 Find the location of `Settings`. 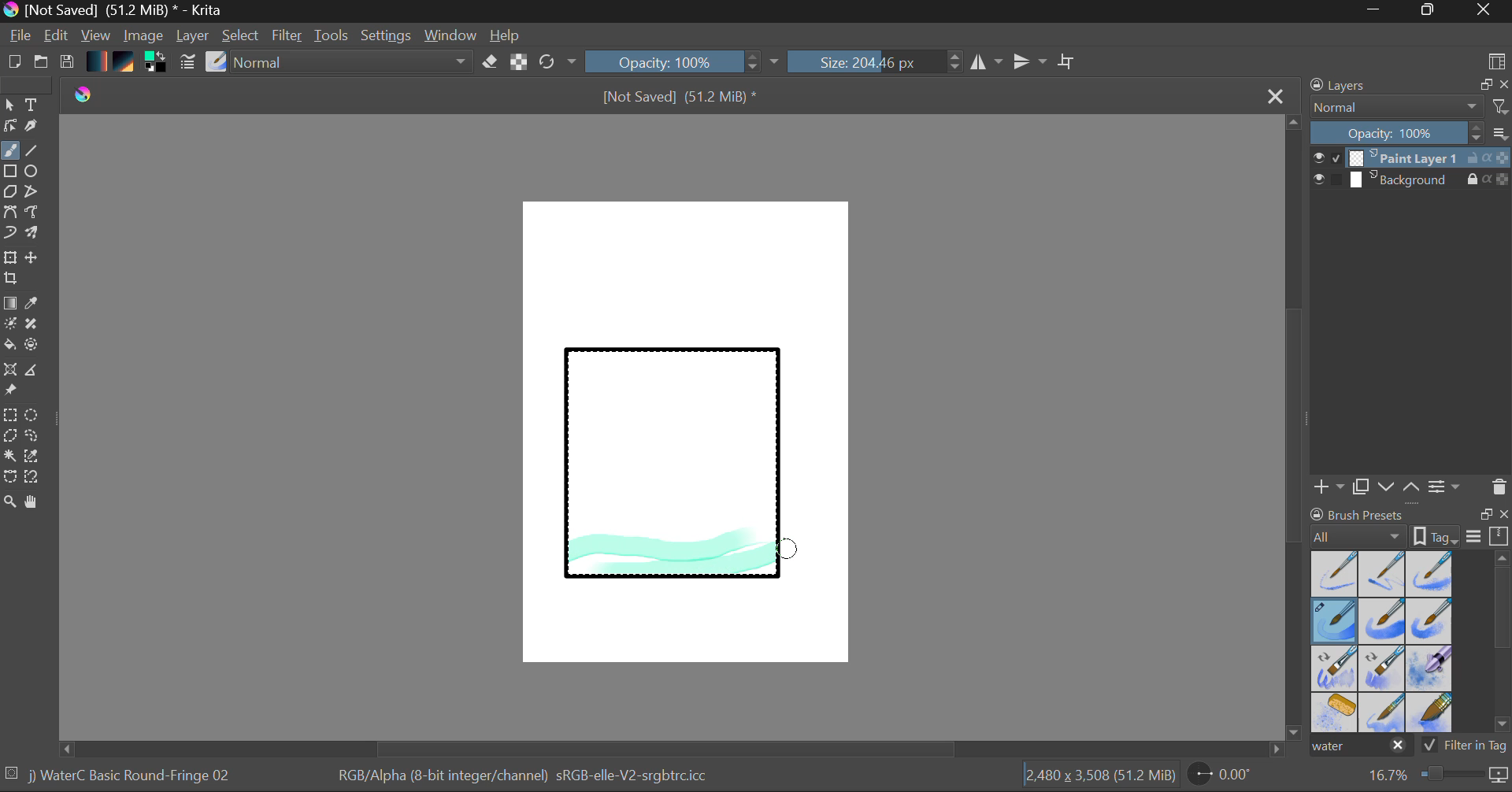

Settings is located at coordinates (387, 35).